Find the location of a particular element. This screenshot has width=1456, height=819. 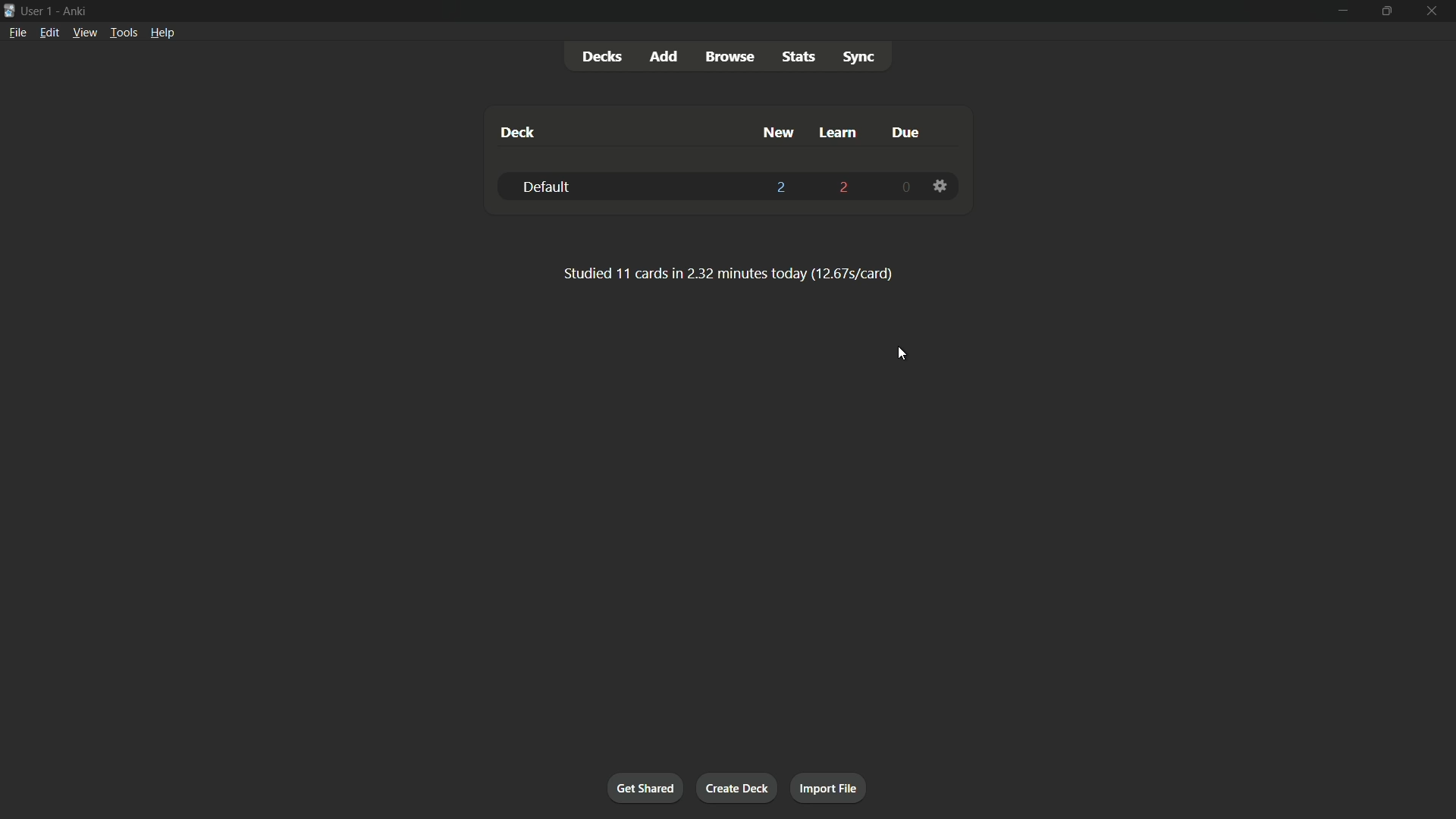

default is located at coordinates (548, 187).